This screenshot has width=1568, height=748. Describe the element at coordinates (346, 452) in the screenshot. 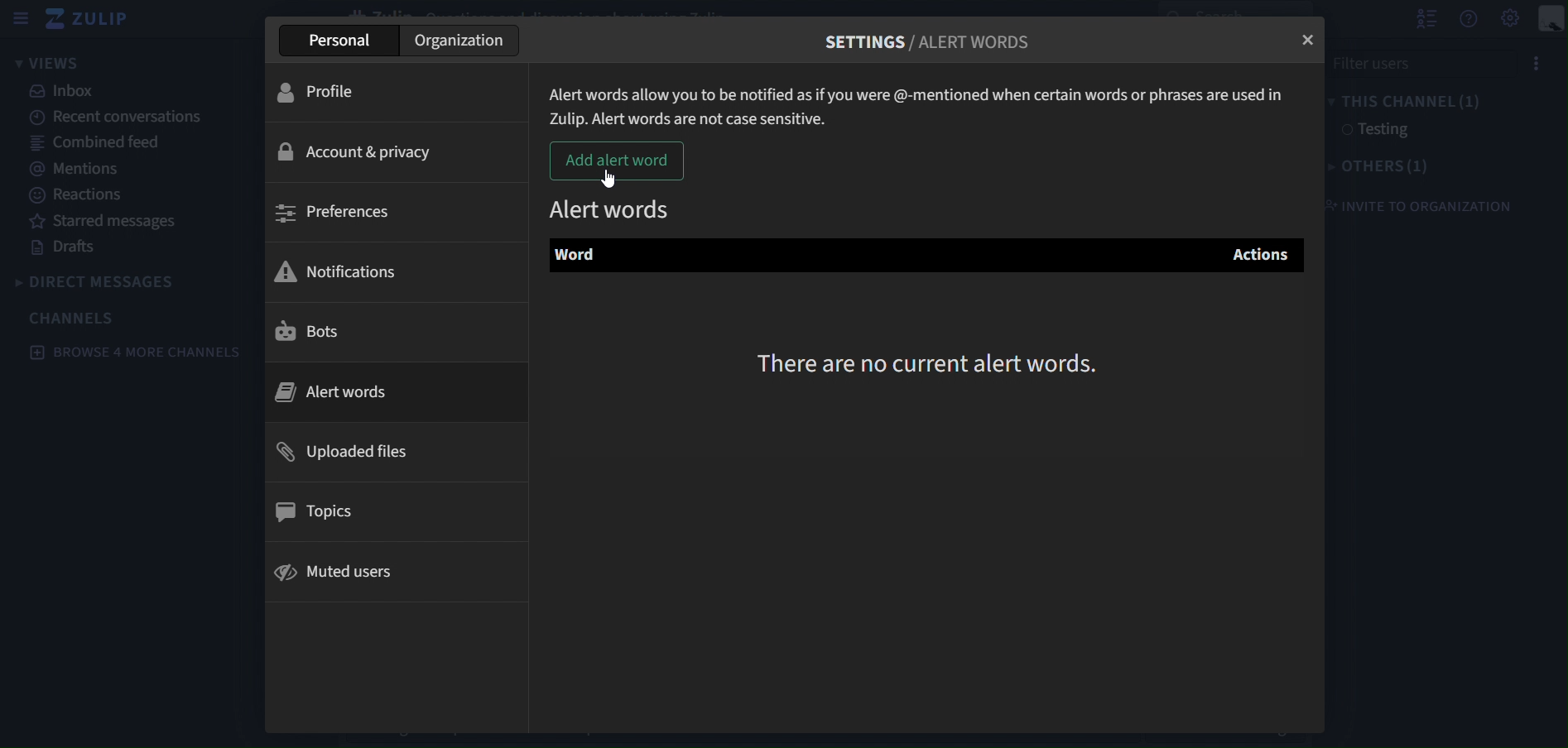

I see `uploaded files` at that location.